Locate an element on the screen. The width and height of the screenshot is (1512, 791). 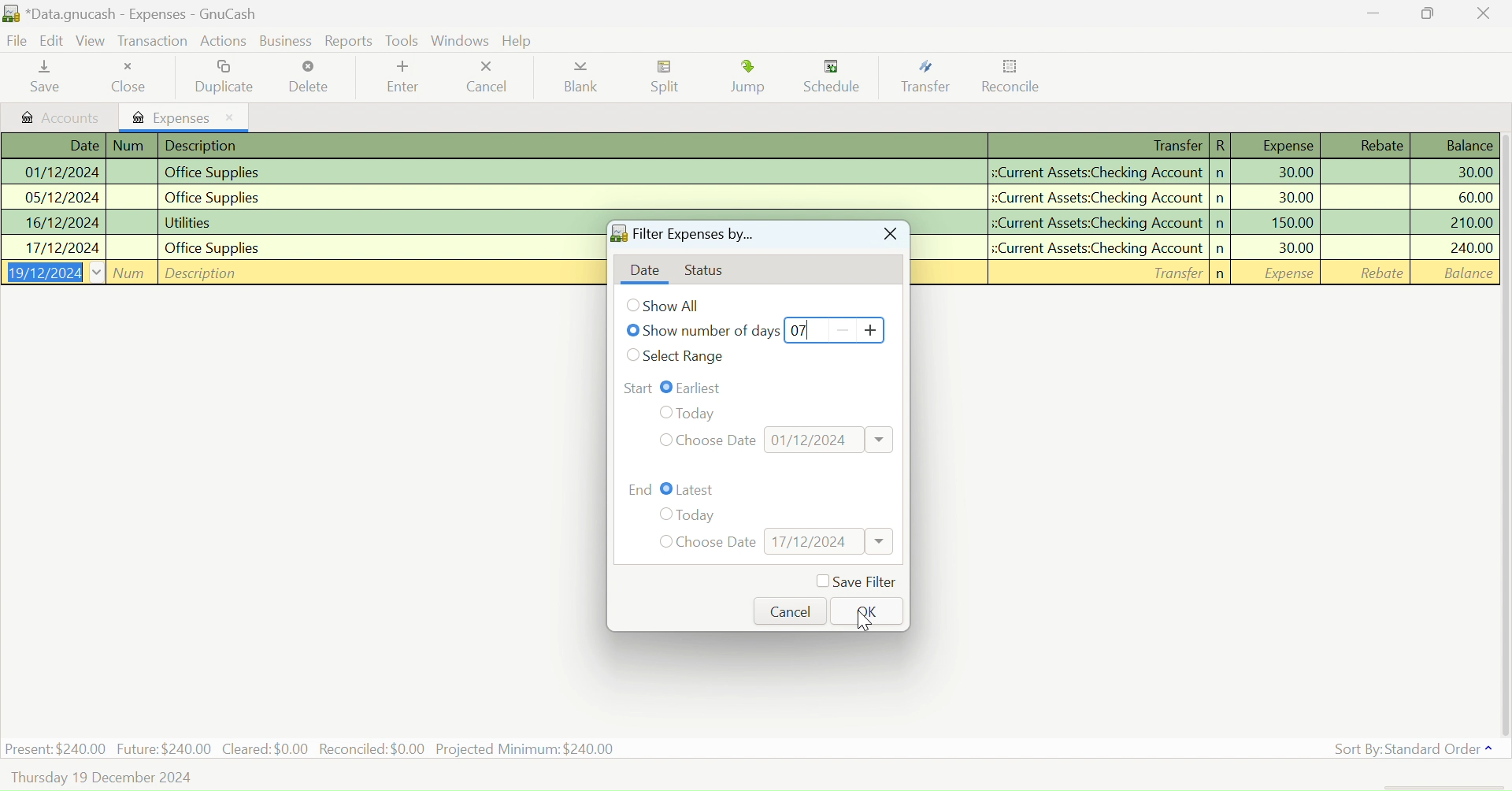
Actions is located at coordinates (226, 40).